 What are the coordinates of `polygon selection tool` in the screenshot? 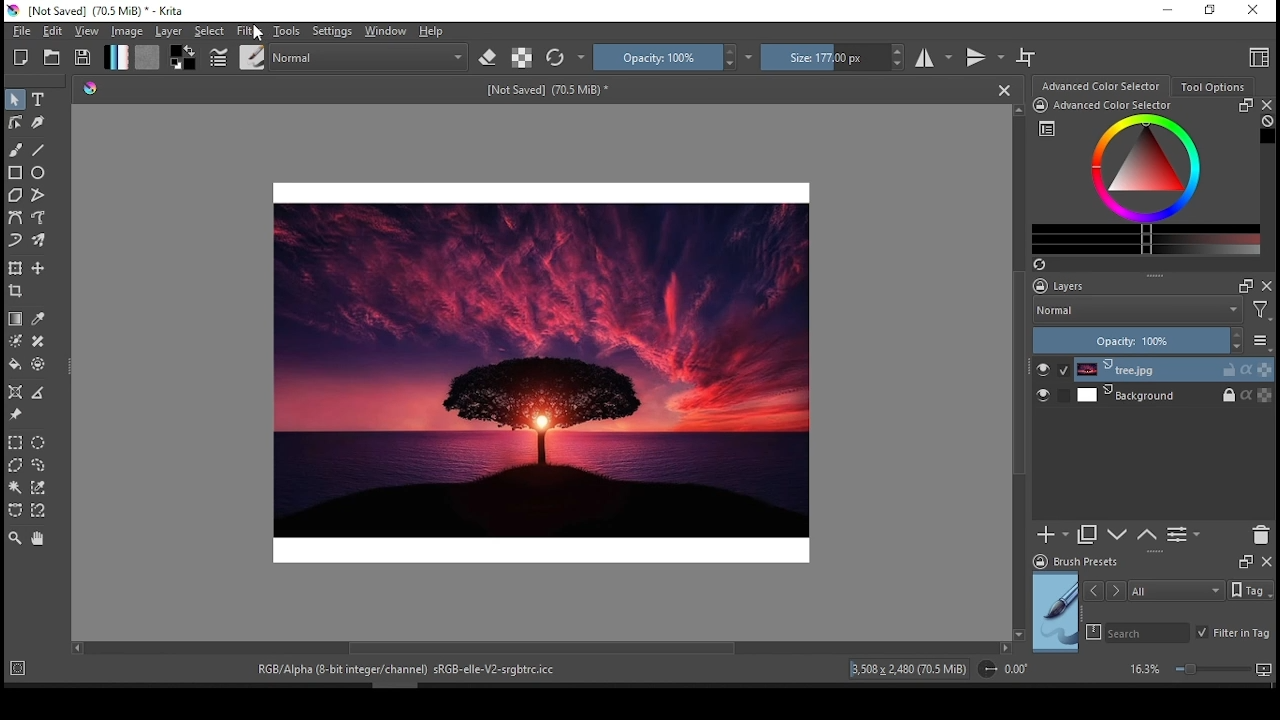 It's located at (18, 465).